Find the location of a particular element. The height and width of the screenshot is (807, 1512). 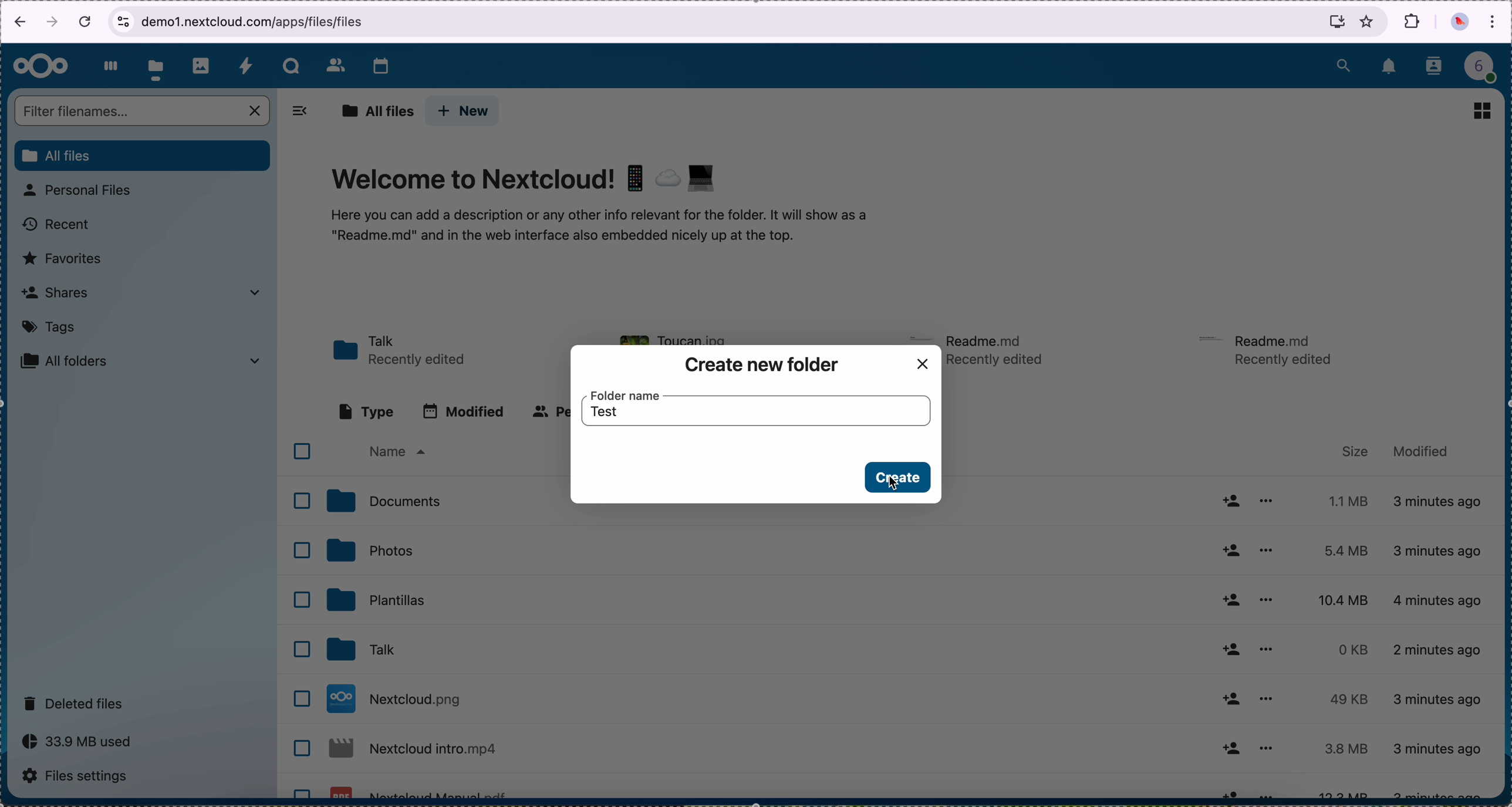

photos is located at coordinates (201, 66).